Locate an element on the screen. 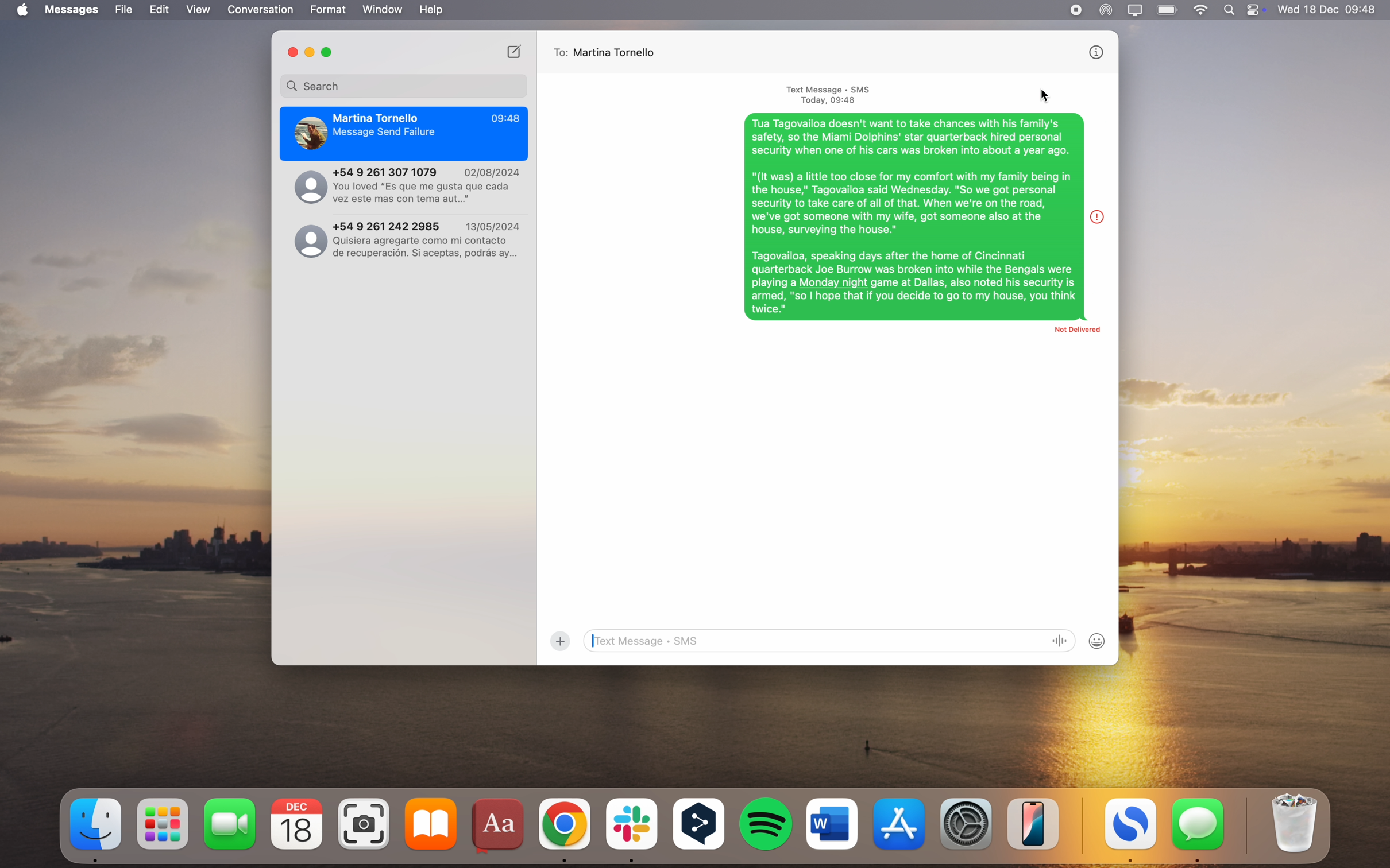  deepl is located at coordinates (700, 826).